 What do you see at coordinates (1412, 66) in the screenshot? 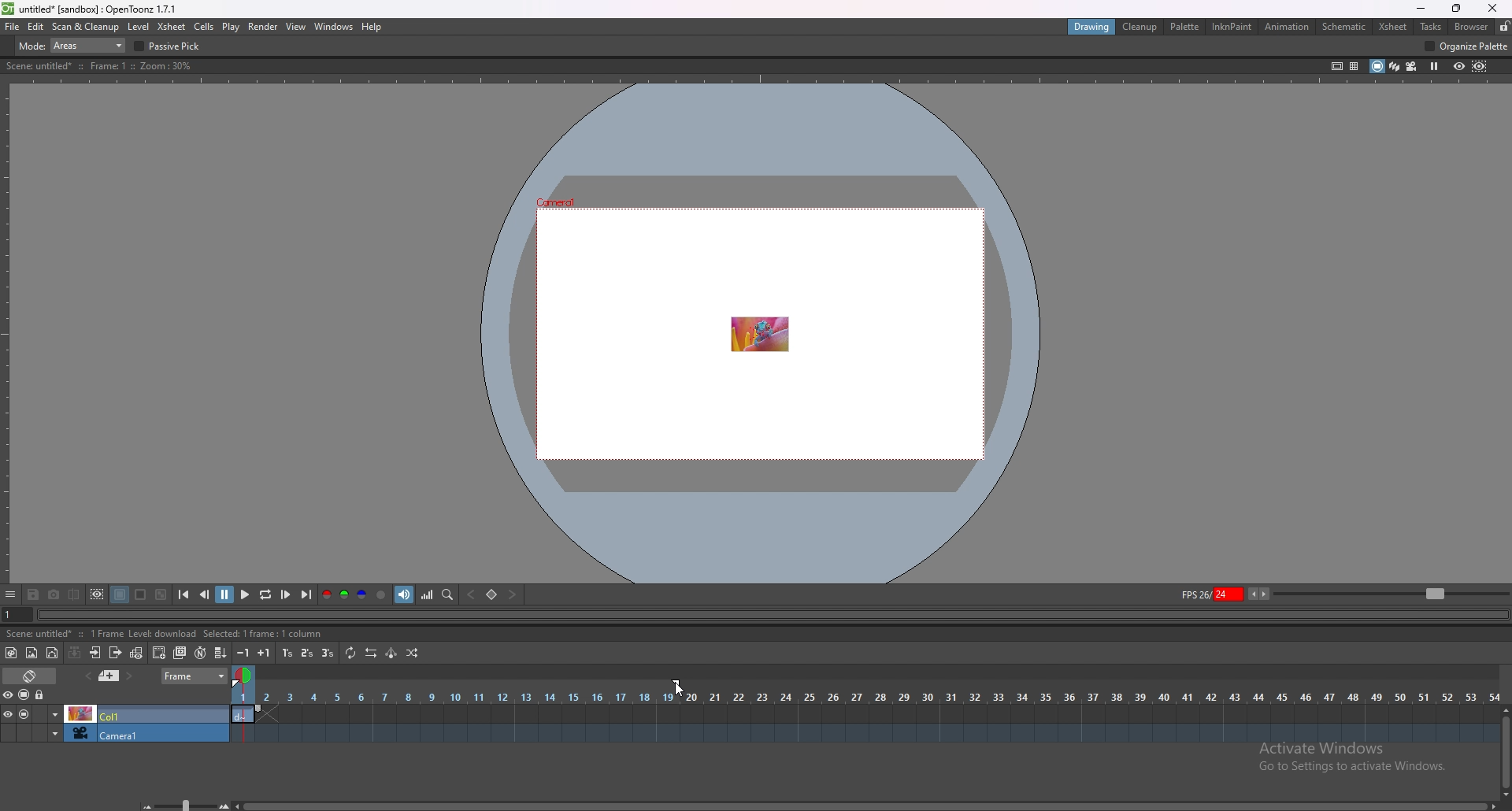
I see `camera view` at bounding box center [1412, 66].